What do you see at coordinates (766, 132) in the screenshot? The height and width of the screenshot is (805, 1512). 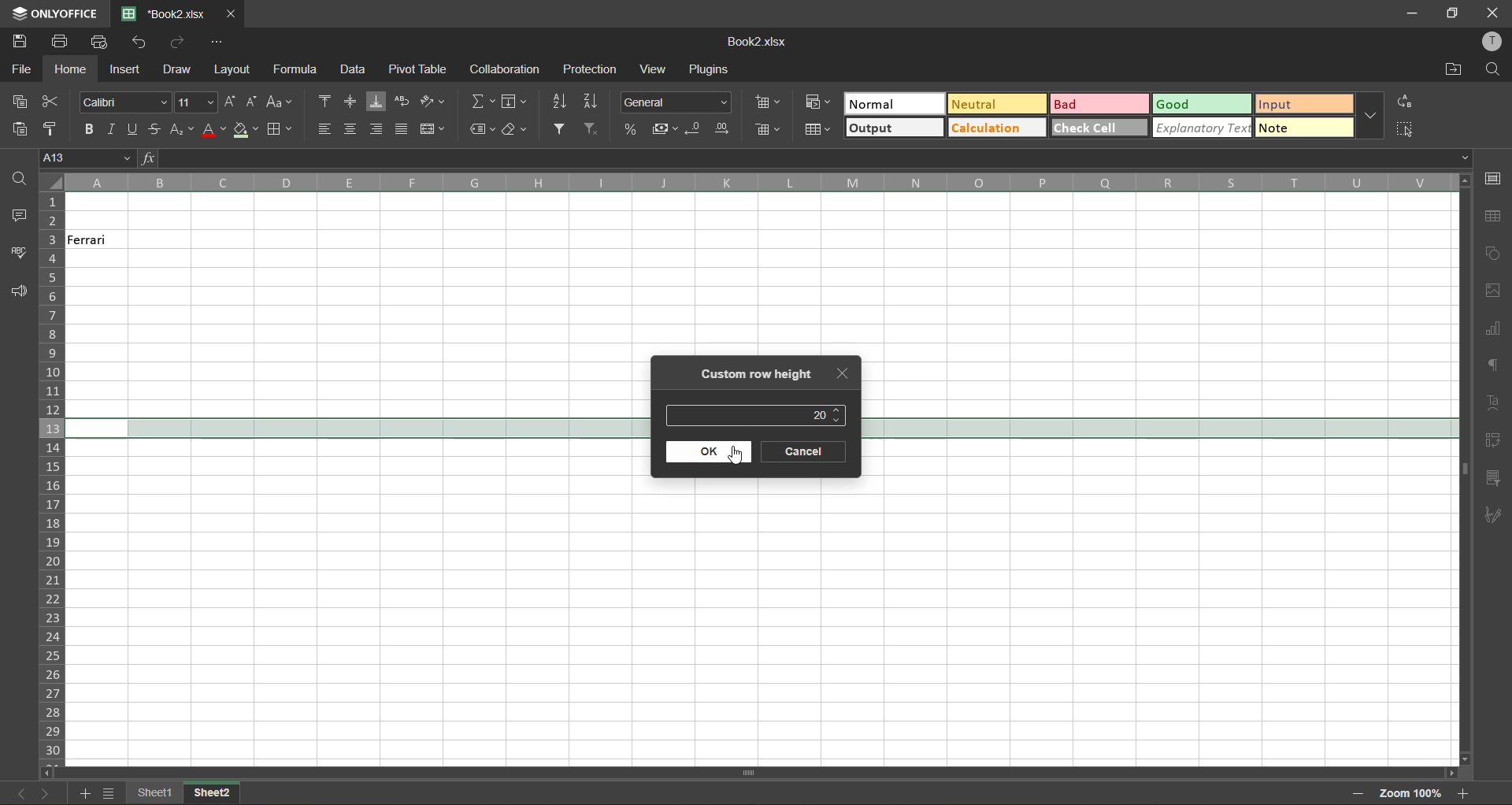 I see `delete cells` at bounding box center [766, 132].